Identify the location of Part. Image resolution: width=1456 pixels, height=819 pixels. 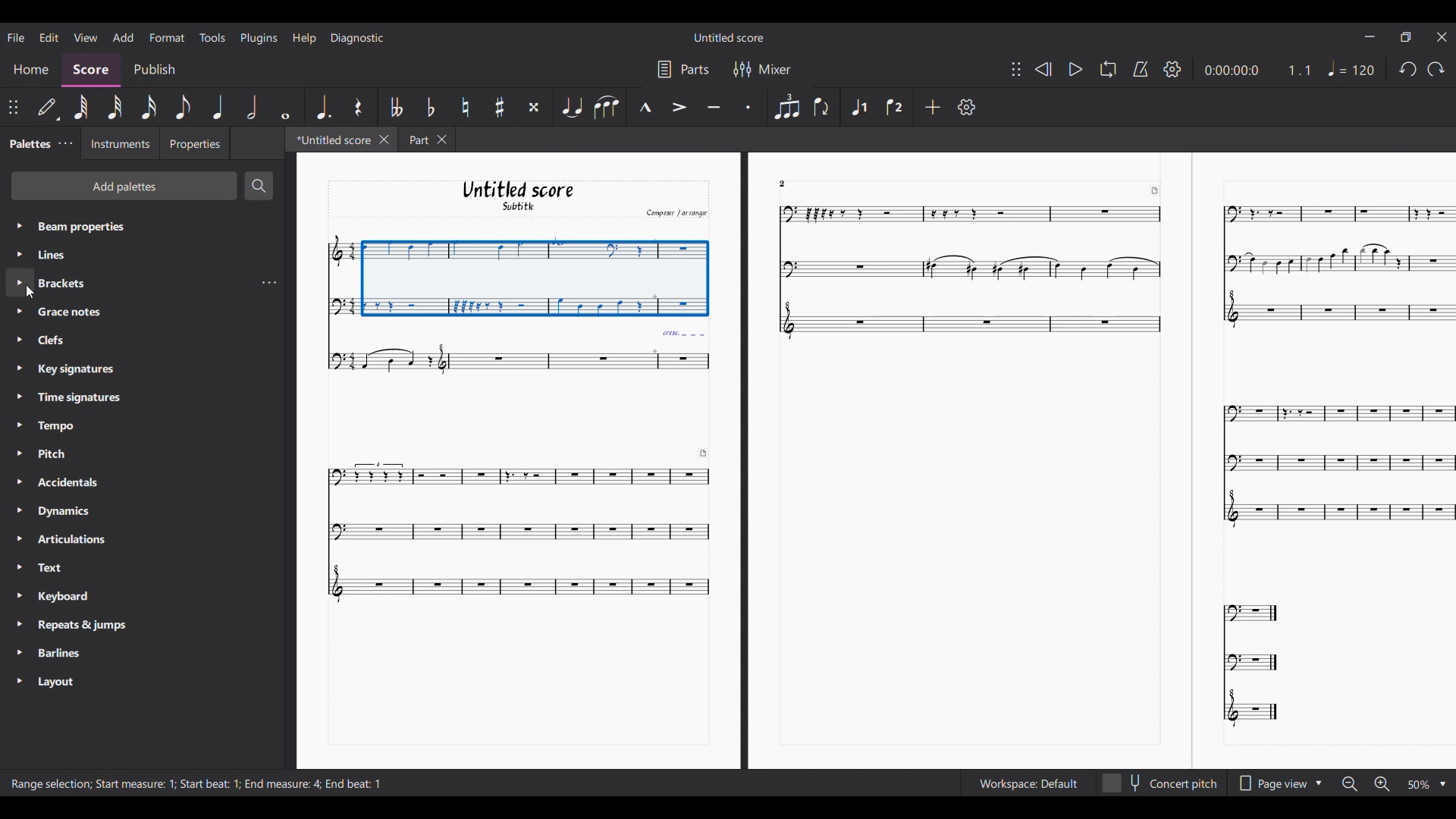
(416, 139).